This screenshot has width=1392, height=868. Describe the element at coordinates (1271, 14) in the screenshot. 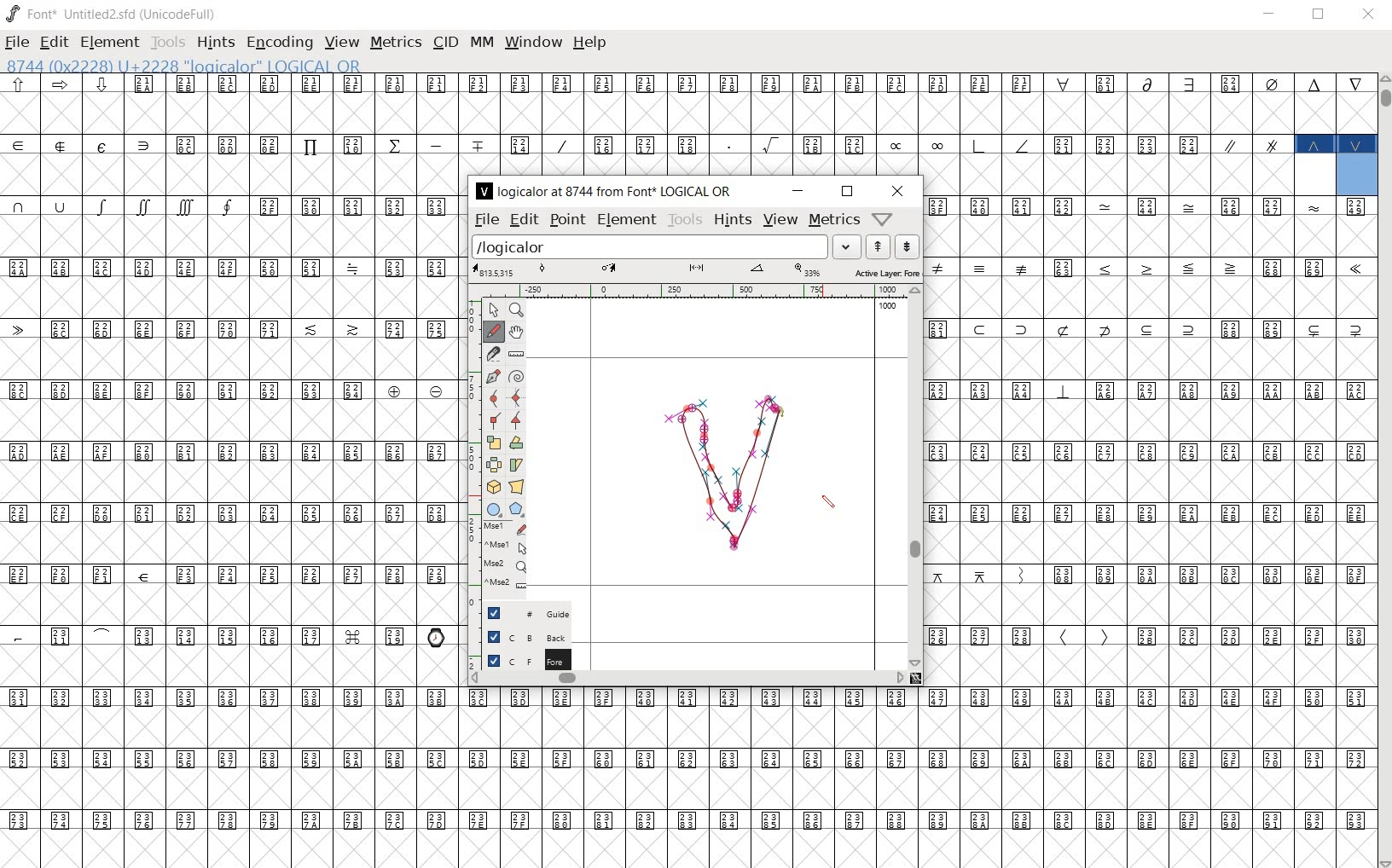

I see `minimize` at that location.